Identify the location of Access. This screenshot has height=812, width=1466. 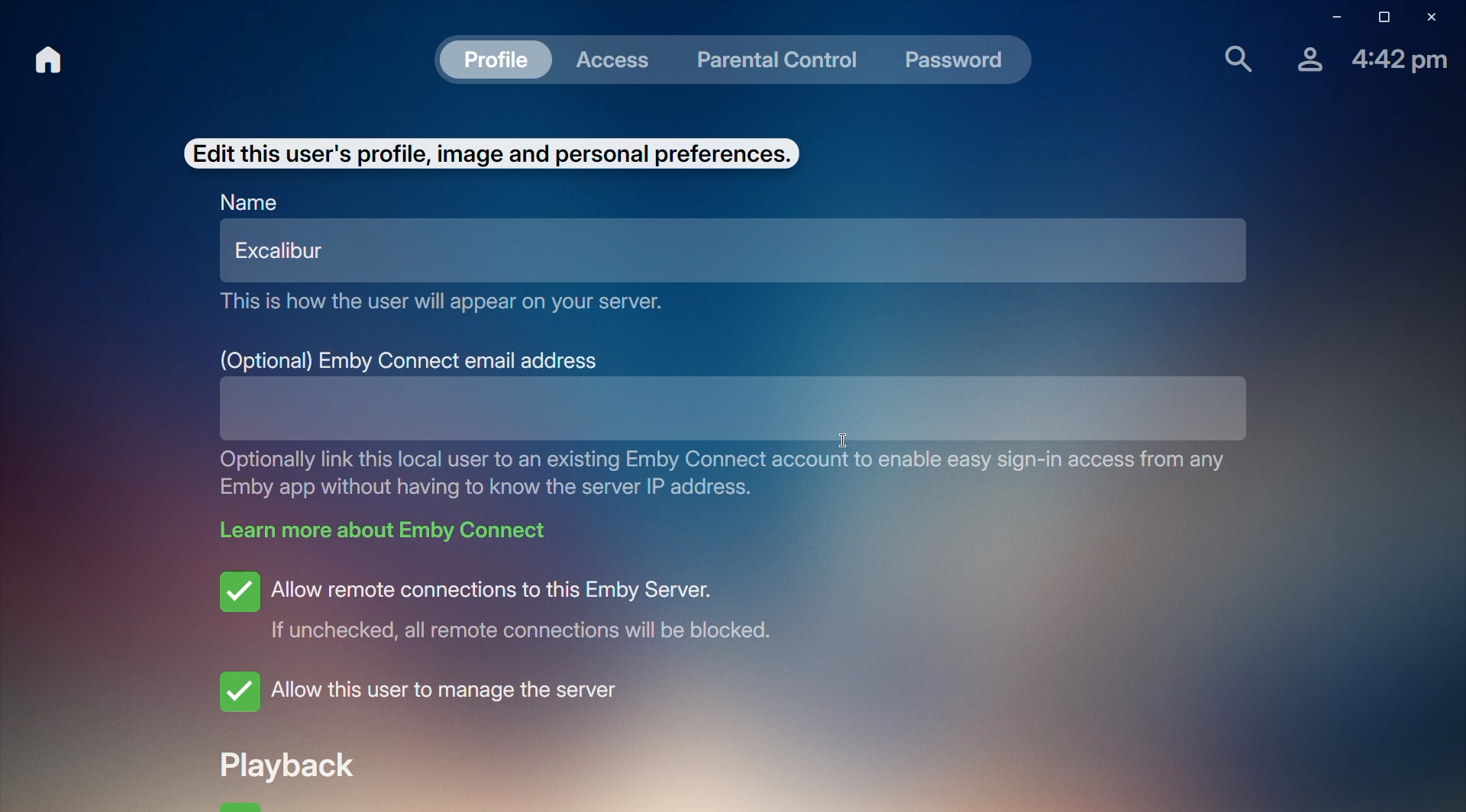
(616, 57).